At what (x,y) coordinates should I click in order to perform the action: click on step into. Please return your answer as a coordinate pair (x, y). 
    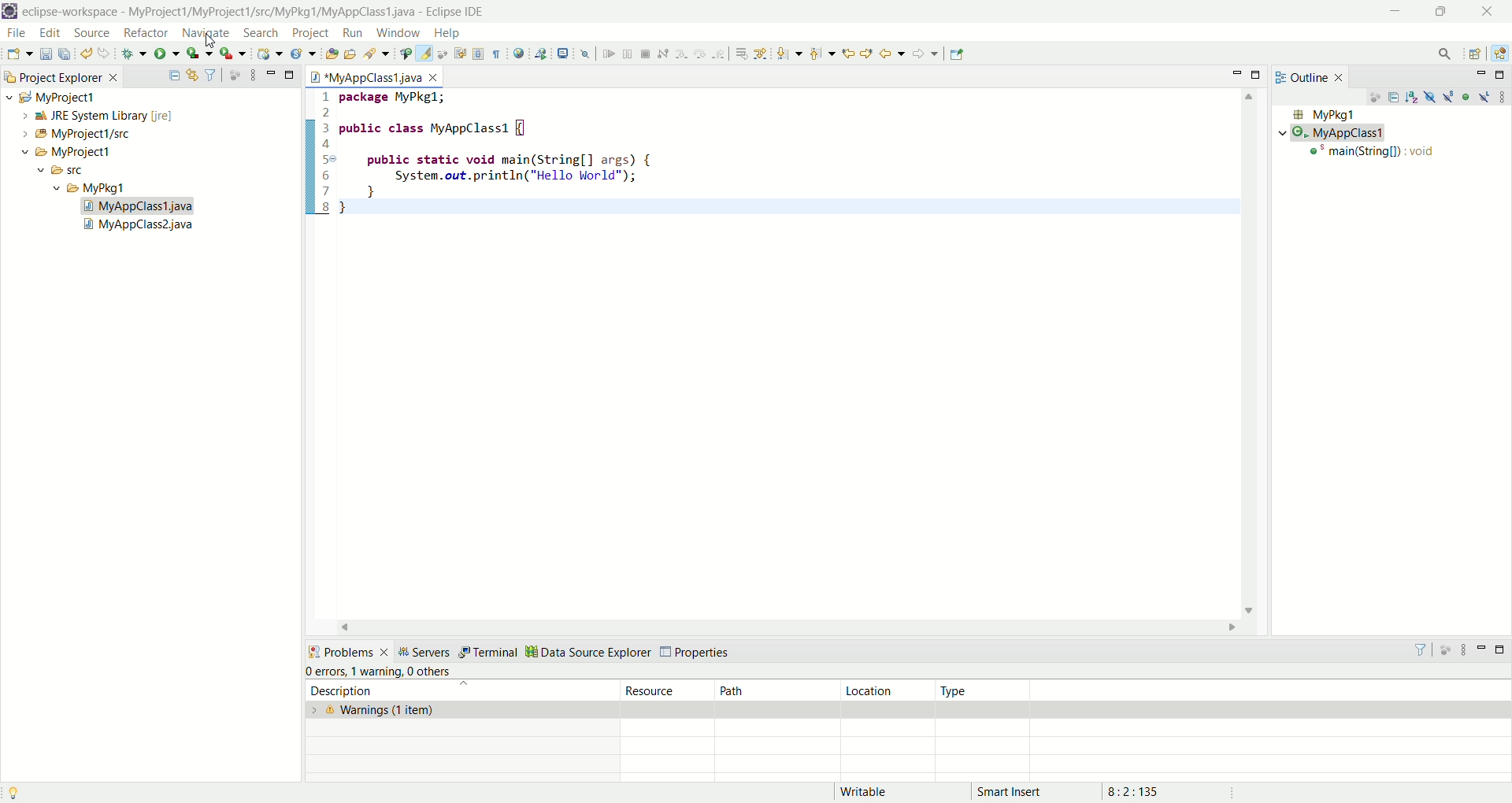
    Looking at the image, I should click on (681, 55).